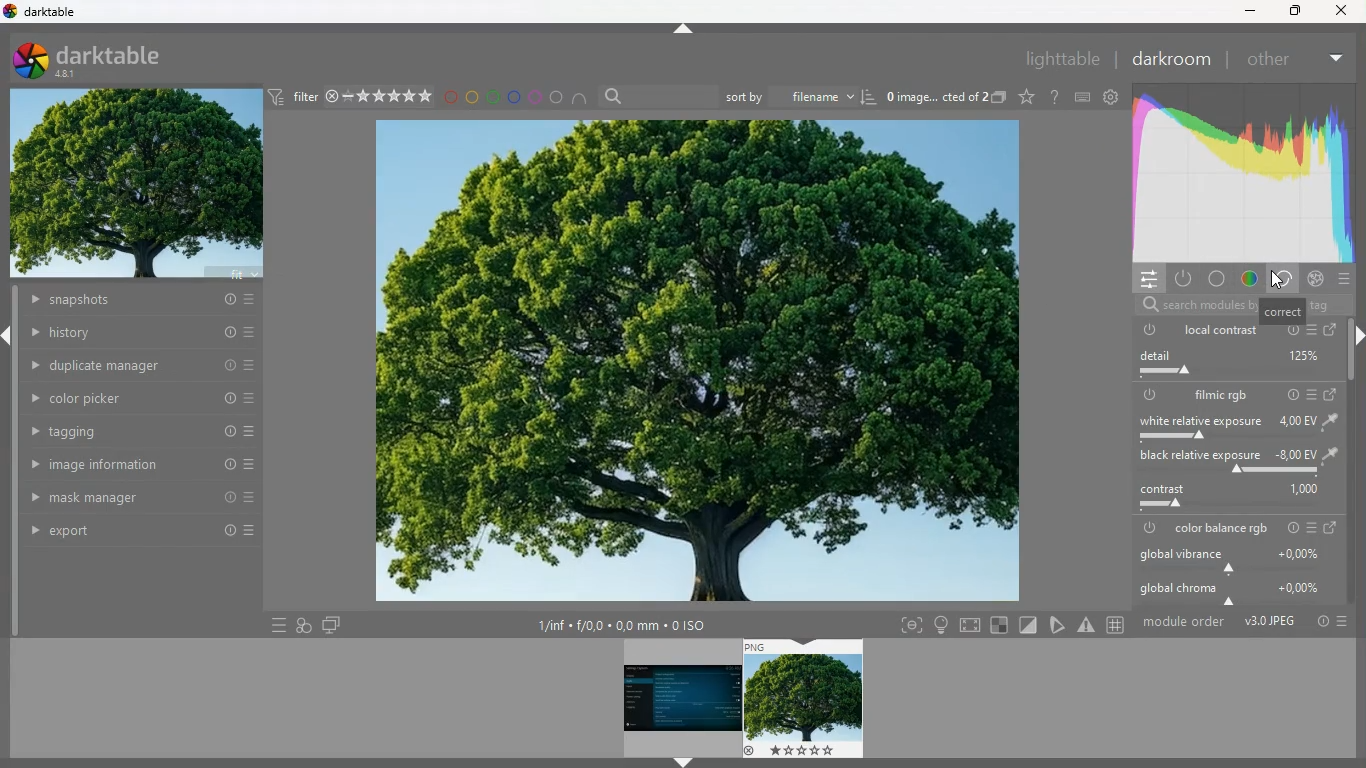 The image size is (1366, 768). Describe the element at coordinates (1288, 331) in the screenshot. I see `info` at that location.